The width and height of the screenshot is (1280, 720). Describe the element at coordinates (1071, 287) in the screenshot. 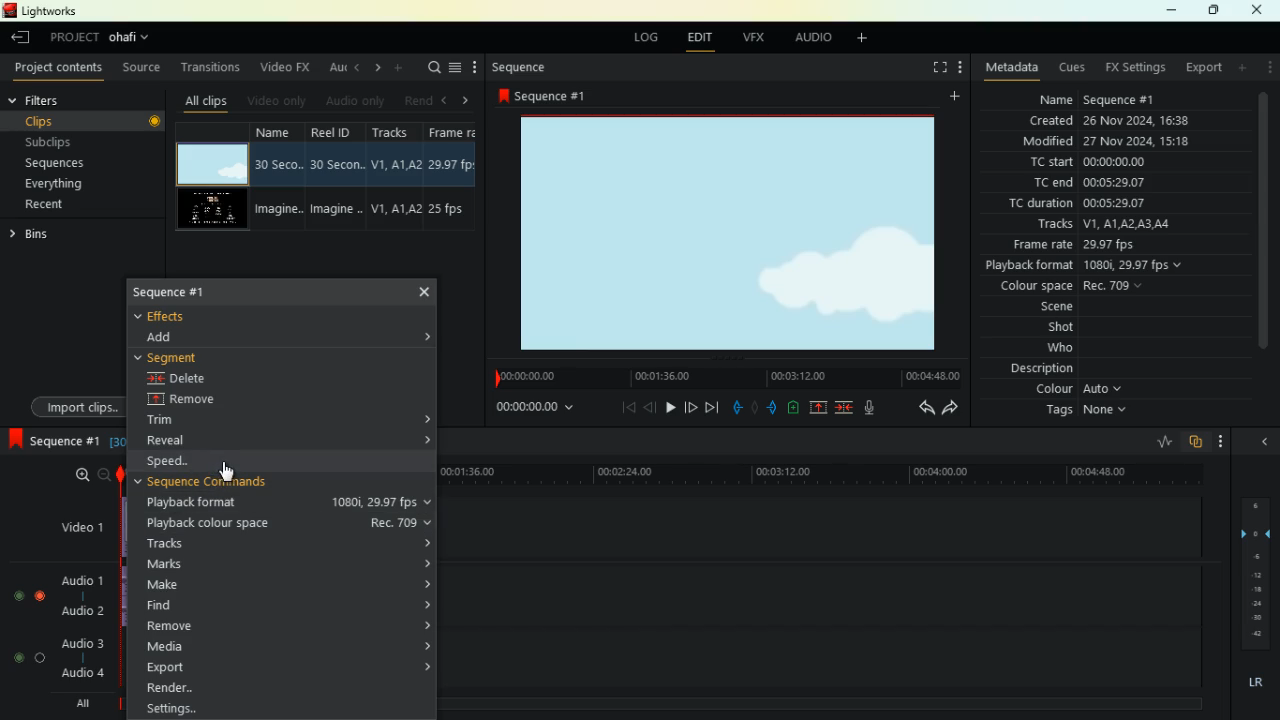

I see `colour space` at that location.